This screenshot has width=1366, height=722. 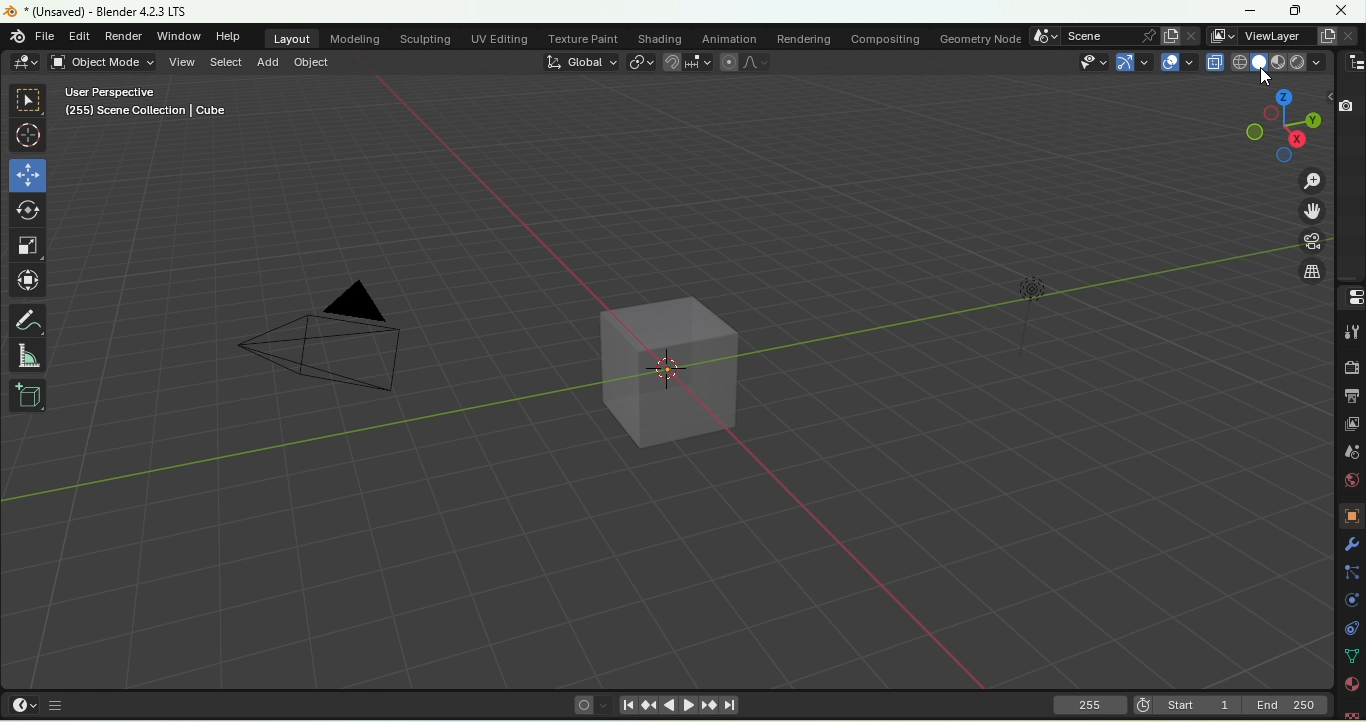 What do you see at coordinates (627, 706) in the screenshot?
I see `Jump to first/last frame in frame range` at bounding box center [627, 706].